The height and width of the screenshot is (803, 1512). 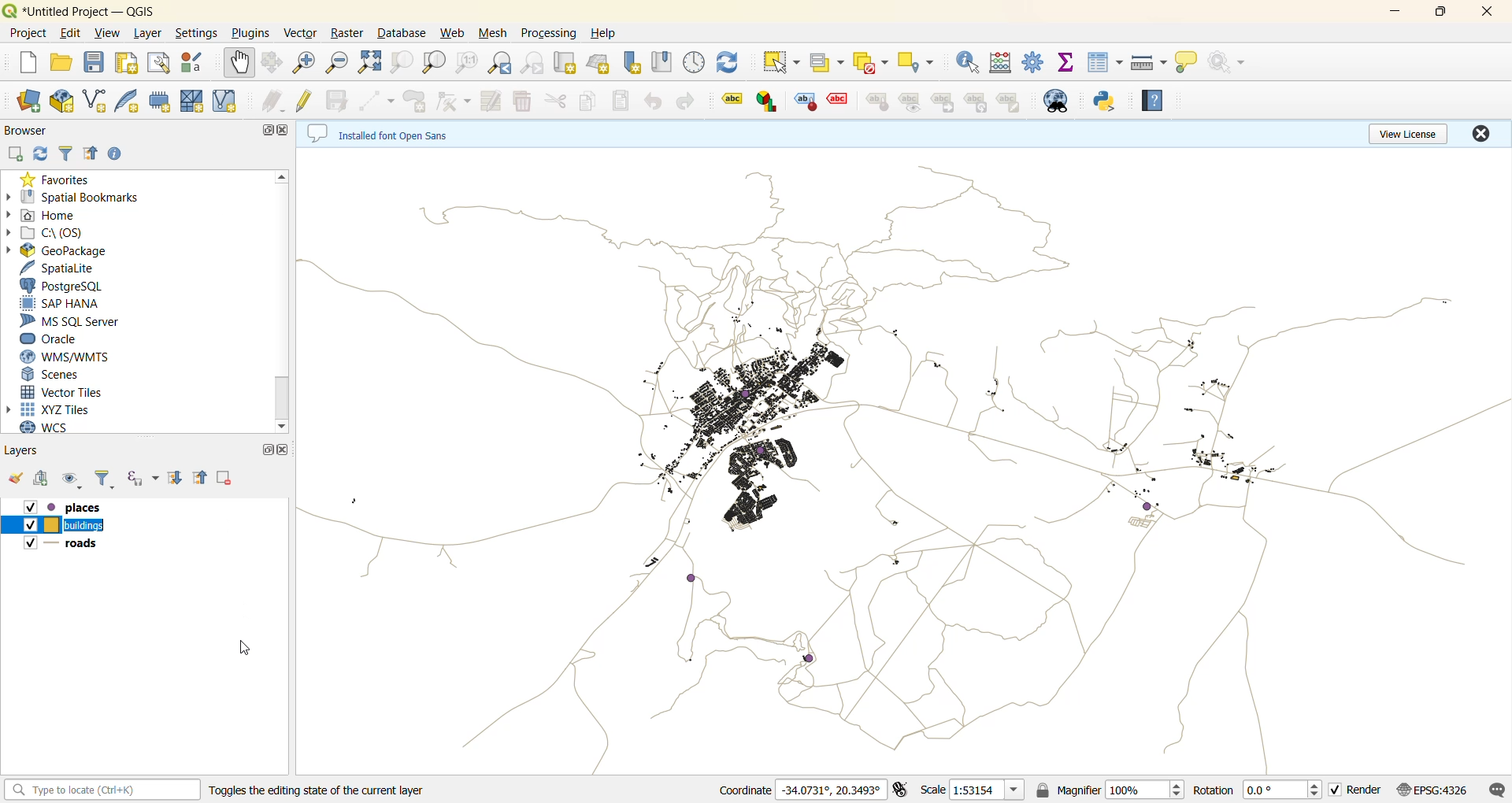 What do you see at coordinates (43, 154) in the screenshot?
I see `refresh` at bounding box center [43, 154].